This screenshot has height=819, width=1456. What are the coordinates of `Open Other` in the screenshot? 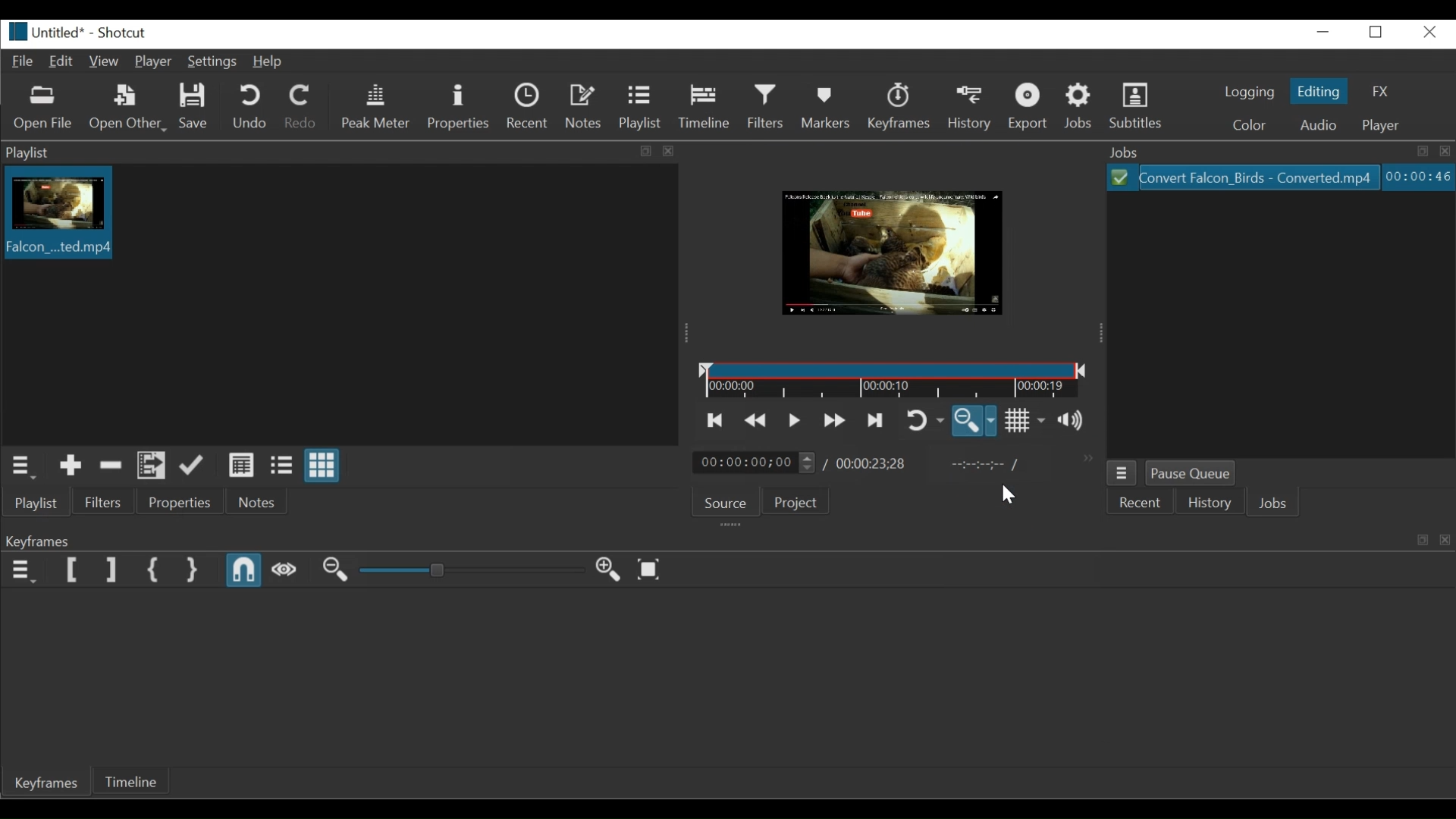 It's located at (129, 108).